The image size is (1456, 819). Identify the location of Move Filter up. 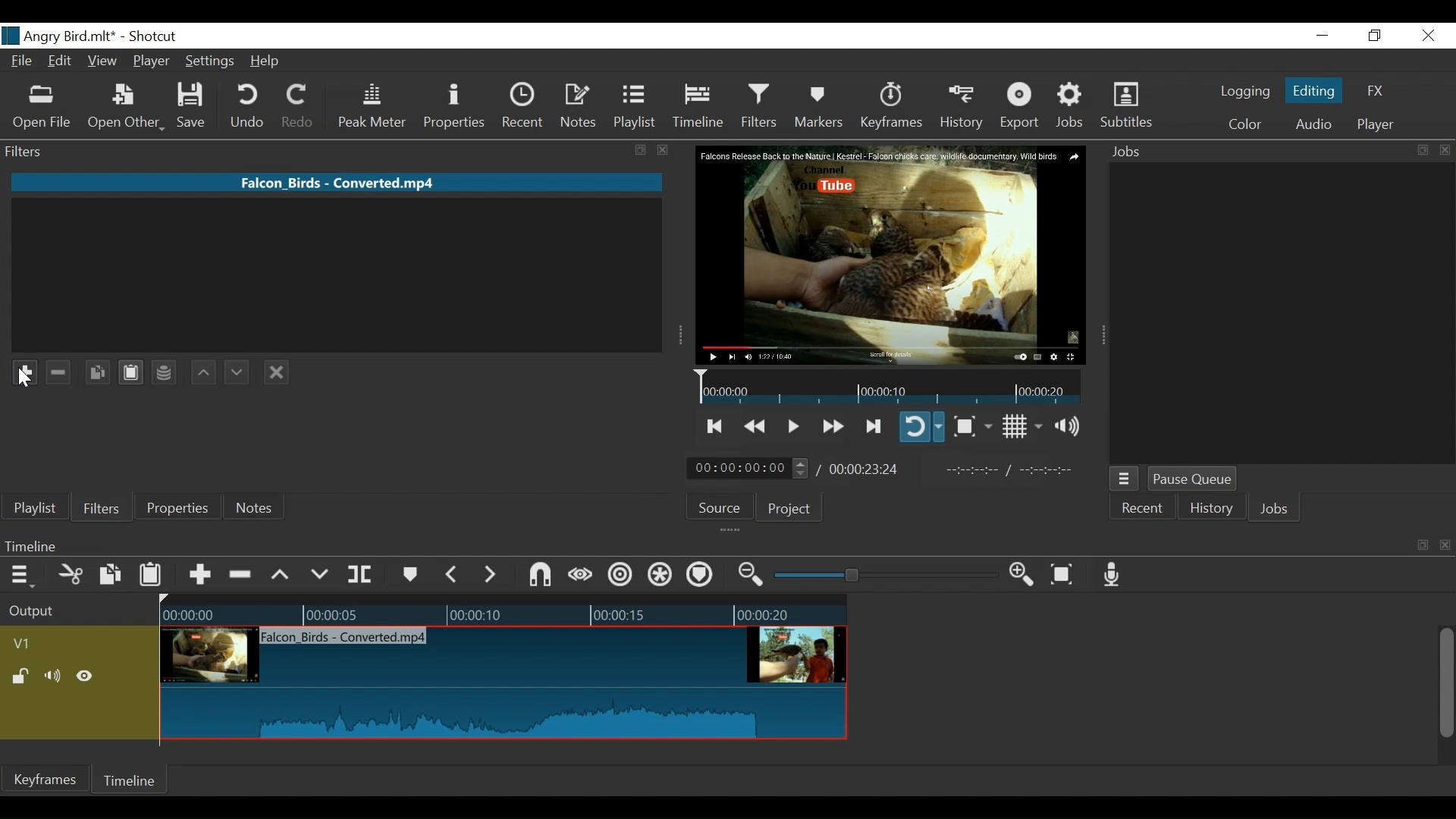
(202, 372).